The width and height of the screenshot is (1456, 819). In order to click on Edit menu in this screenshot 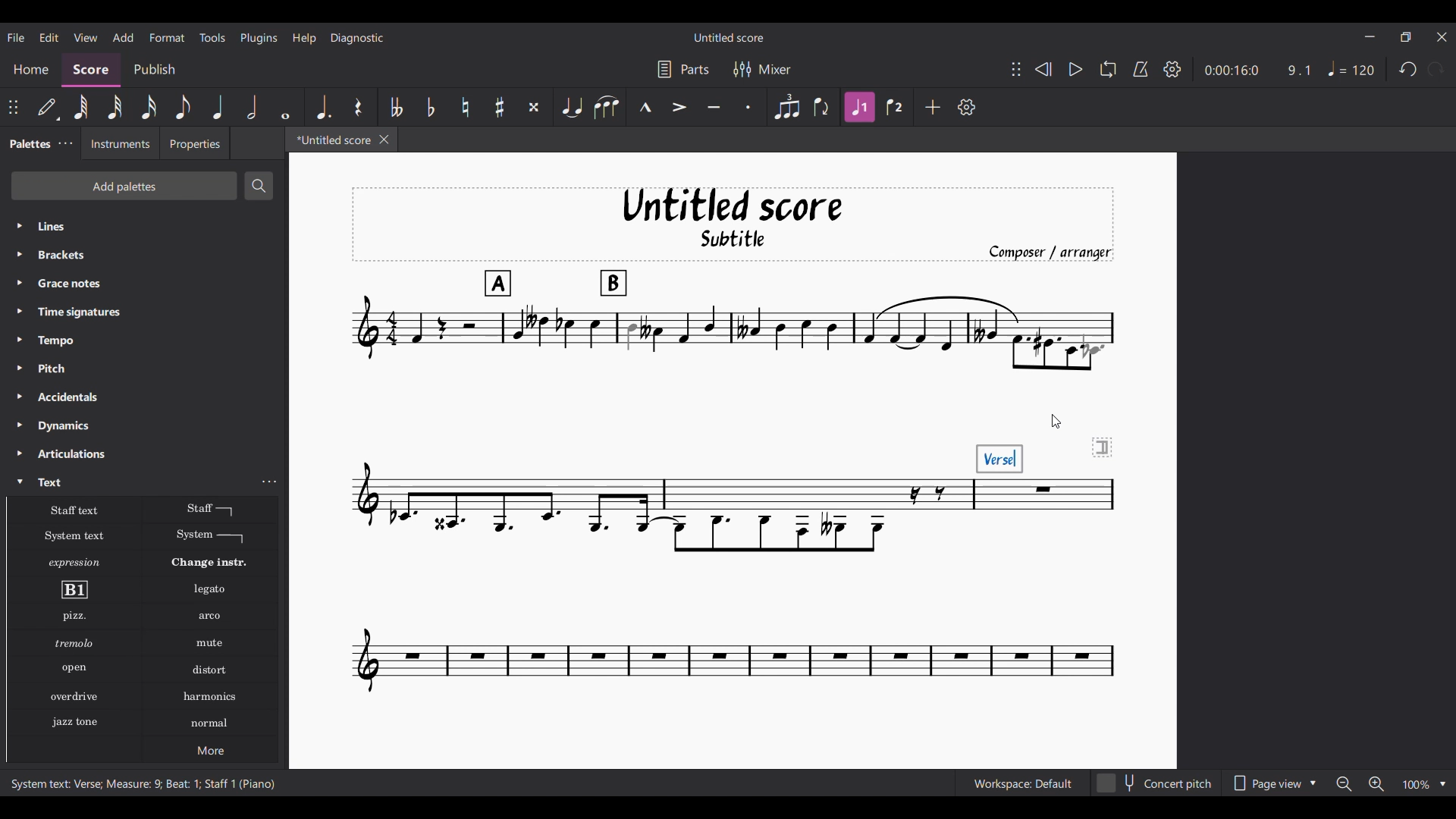, I will do `click(49, 38)`.